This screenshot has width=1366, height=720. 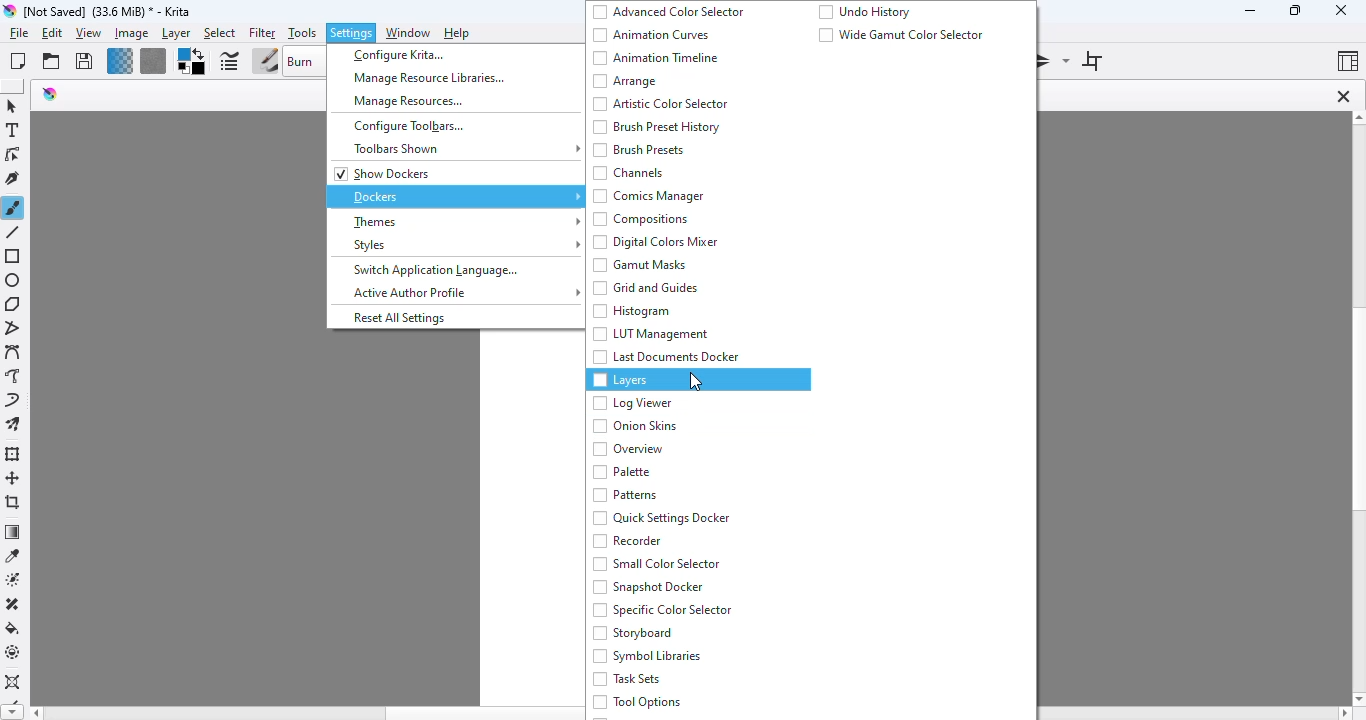 What do you see at coordinates (657, 127) in the screenshot?
I see `brush preset history` at bounding box center [657, 127].